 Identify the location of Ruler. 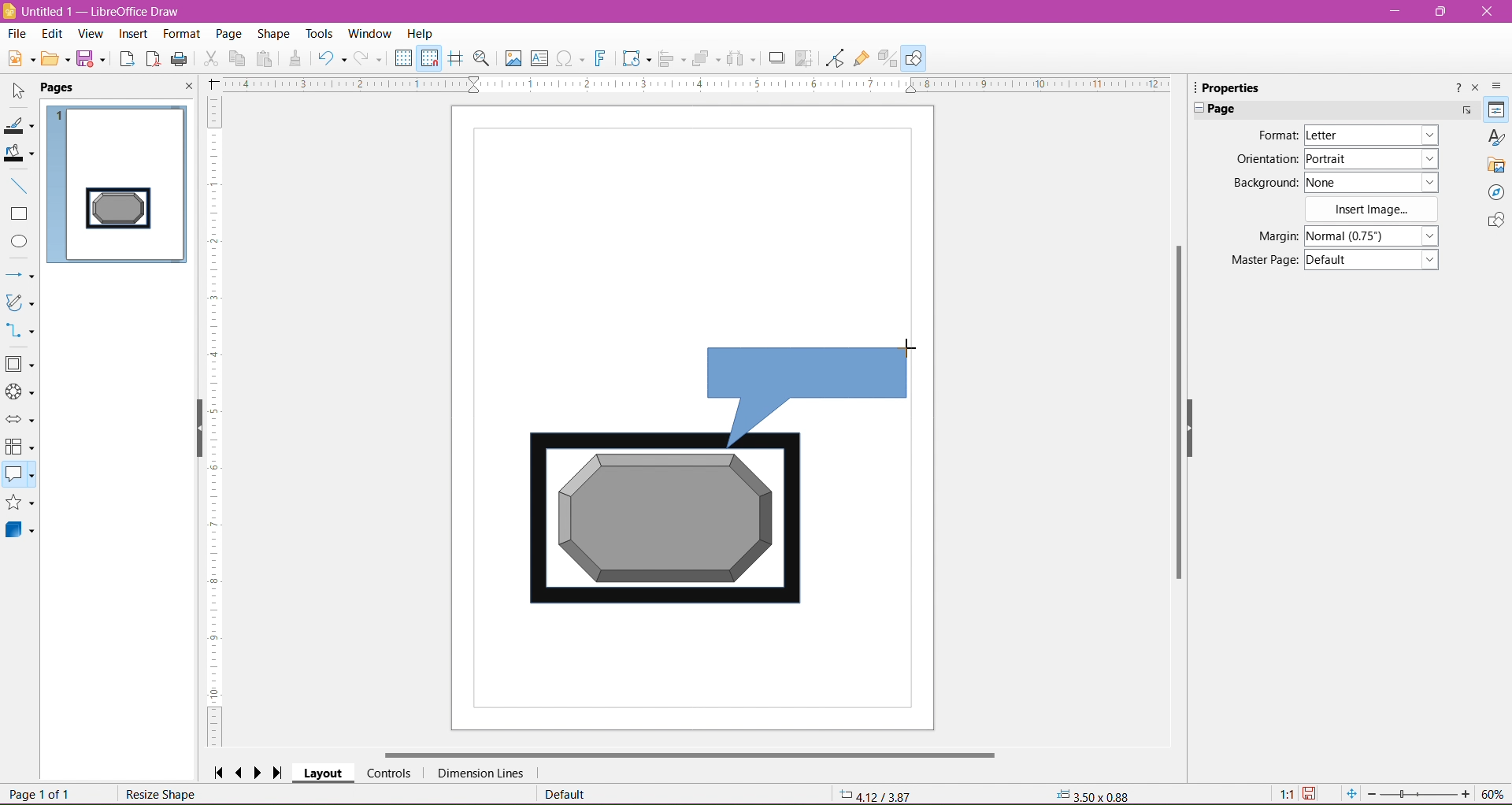
(217, 422).